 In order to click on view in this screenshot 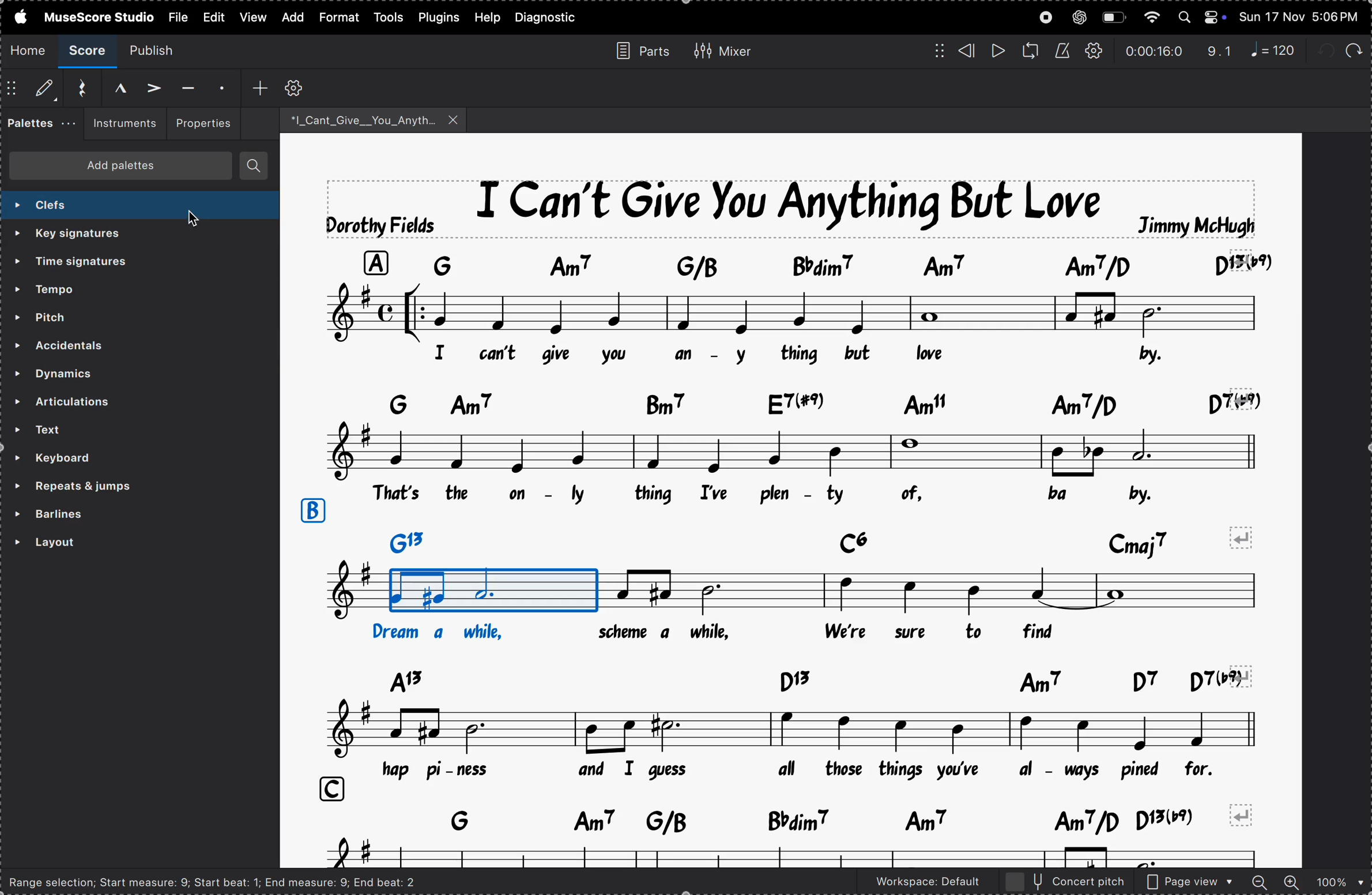, I will do `click(212, 17)`.